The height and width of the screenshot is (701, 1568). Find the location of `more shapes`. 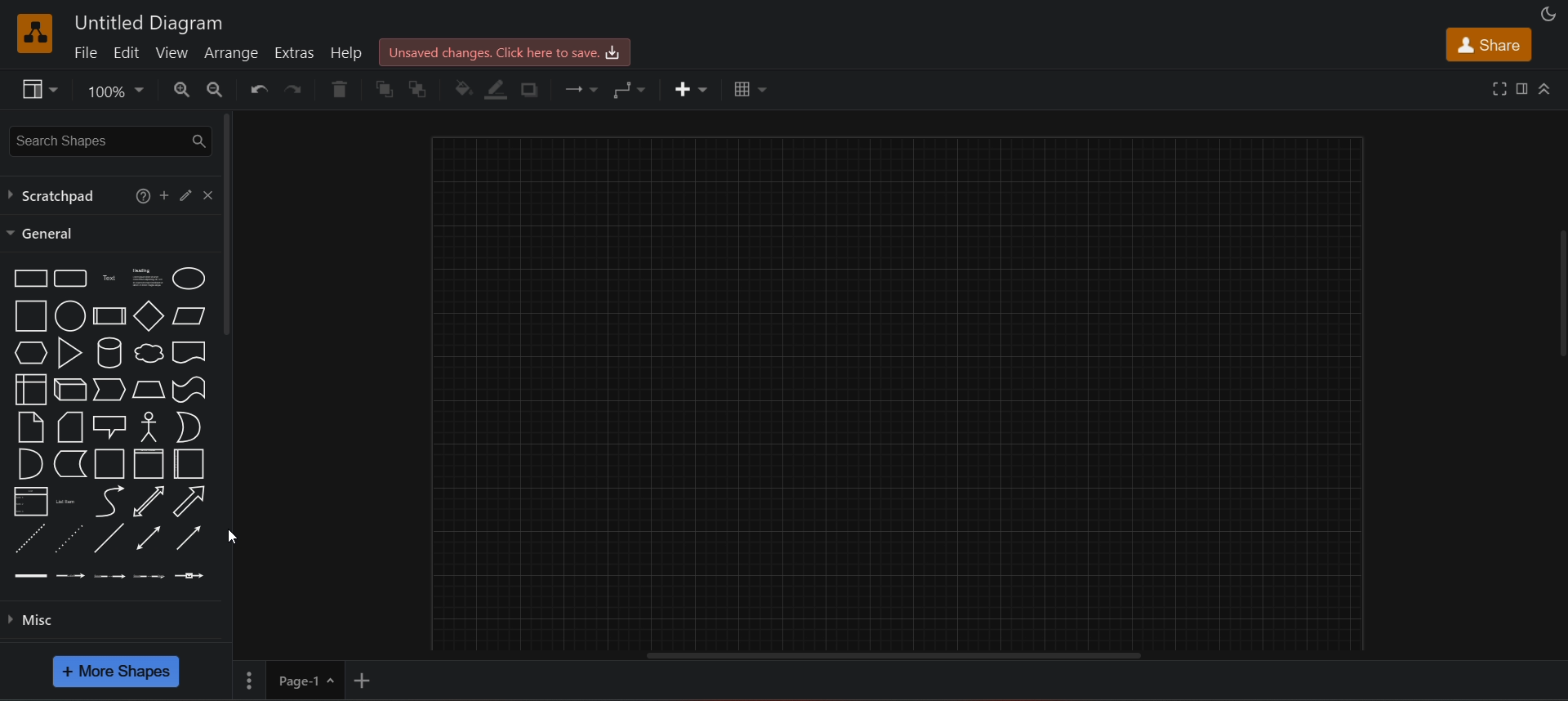

more shapes is located at coordinates (118, 672).